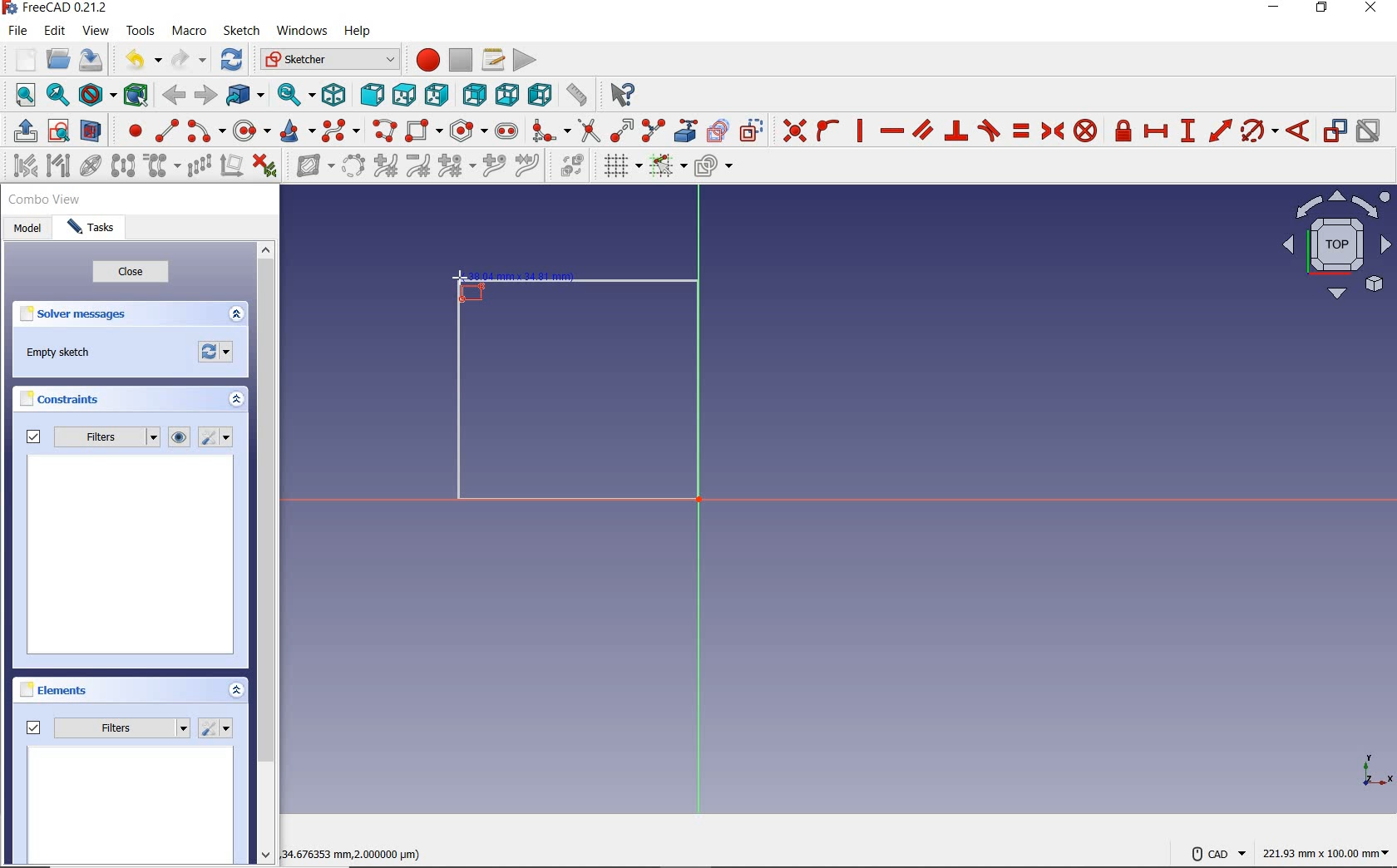 Image resolution: width=1397 pixels, height=868 pixels. Describe the element at coordinates (166, 131) in the screenshot. I see `create line` at that location.